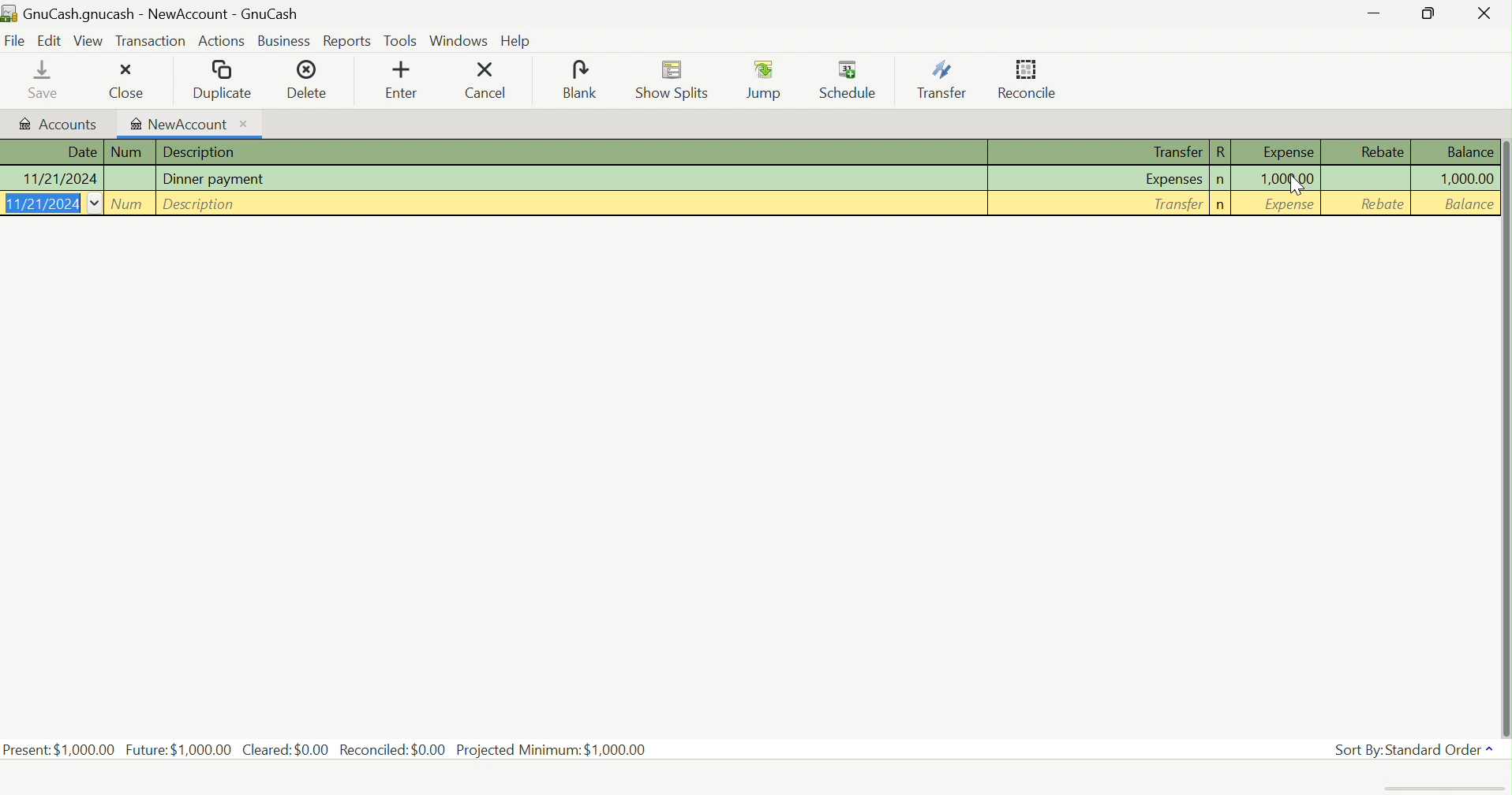  I want to click on Sort By: Standard Order, so click(1415, 748).